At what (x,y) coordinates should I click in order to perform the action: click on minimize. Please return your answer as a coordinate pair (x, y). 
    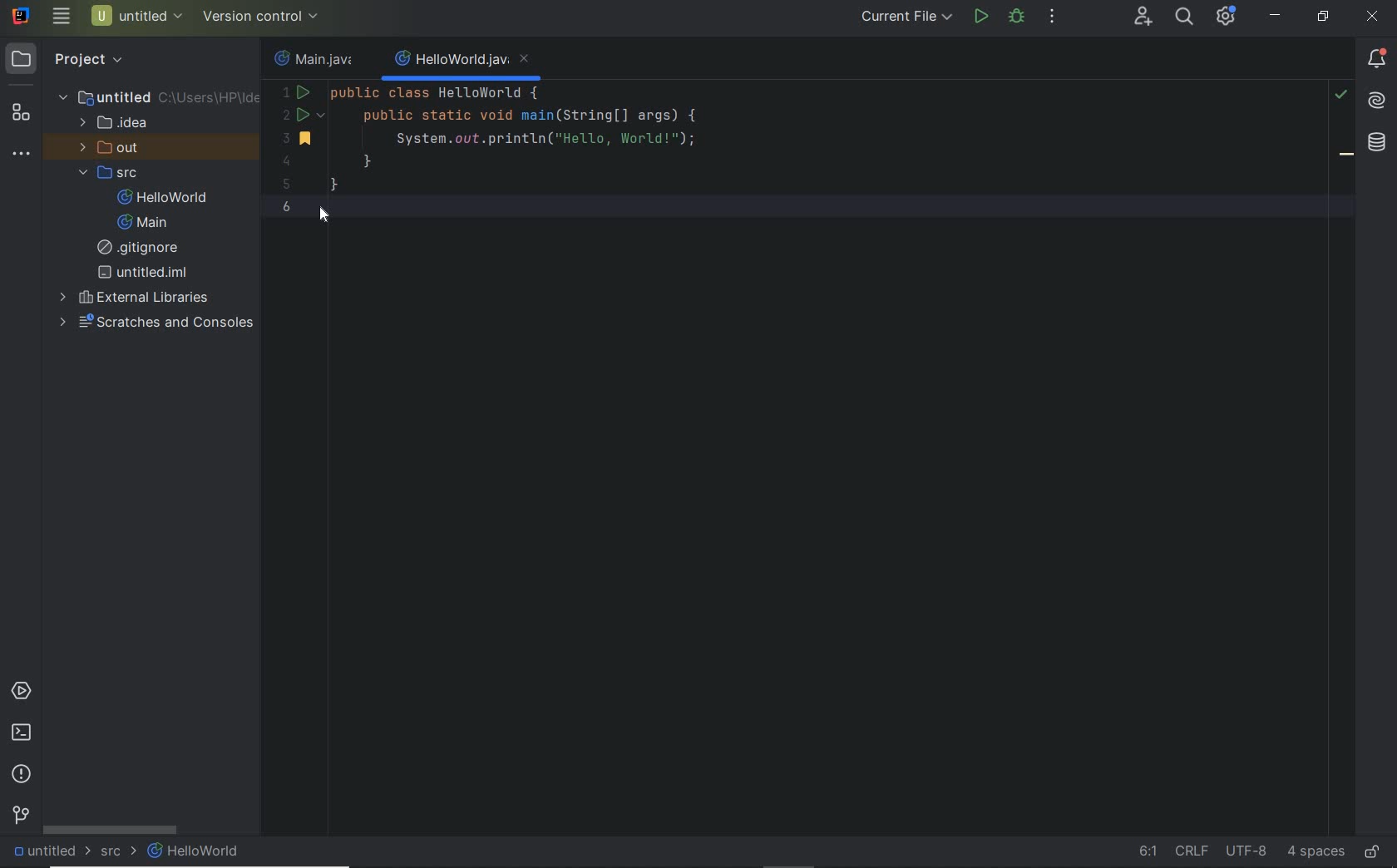
    Looking at the image, I should click on (1276, 16).